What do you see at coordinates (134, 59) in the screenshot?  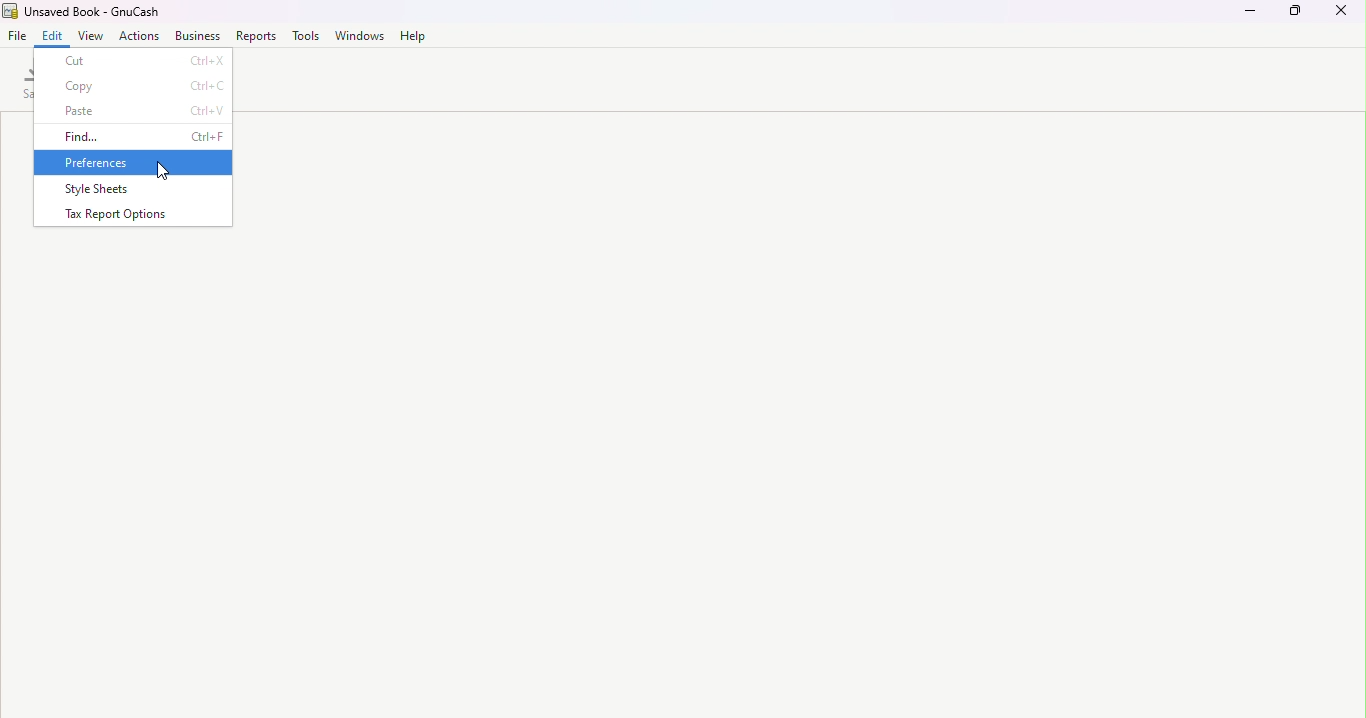 I see `Cut` at bounding box center [134, 59].